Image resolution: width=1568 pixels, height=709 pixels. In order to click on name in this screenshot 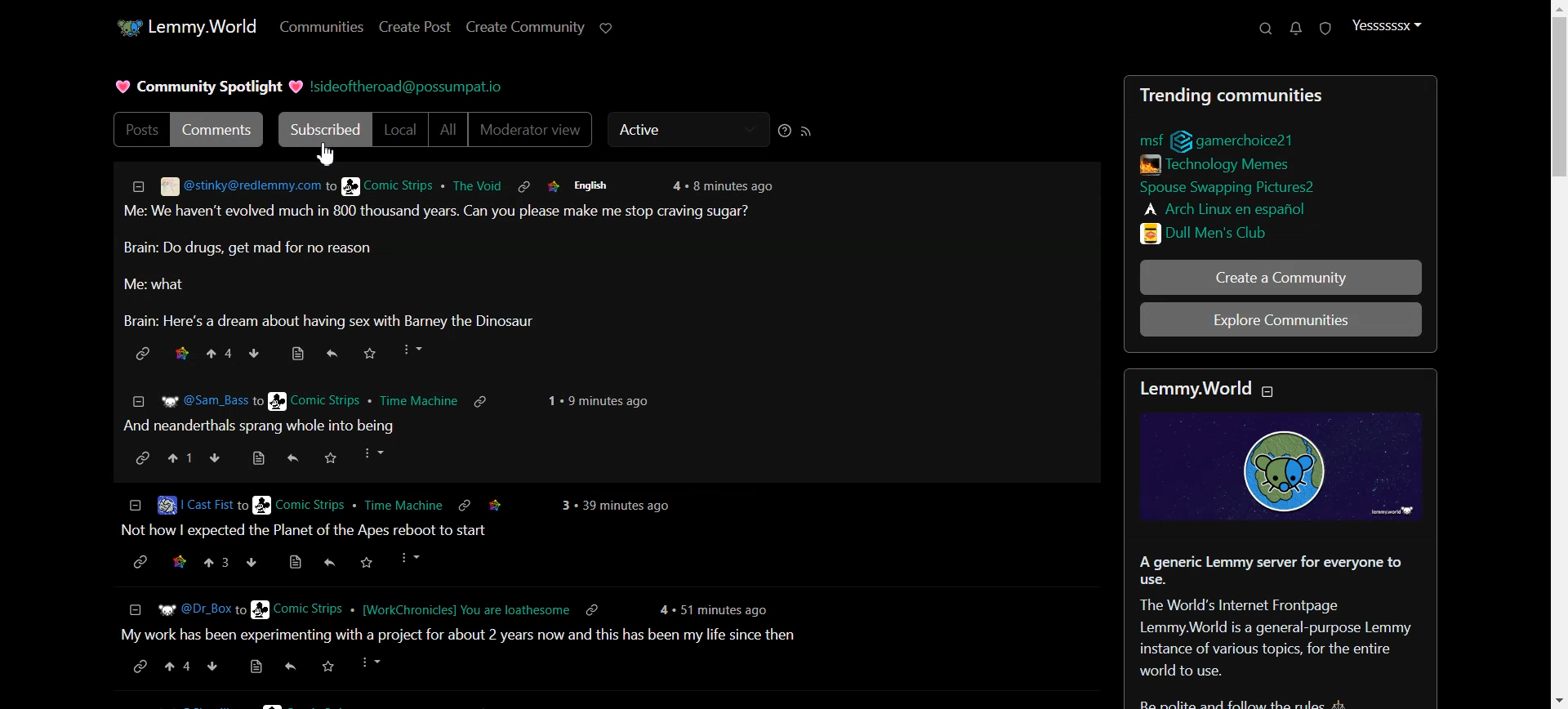, I will do `click(342, 505)`.